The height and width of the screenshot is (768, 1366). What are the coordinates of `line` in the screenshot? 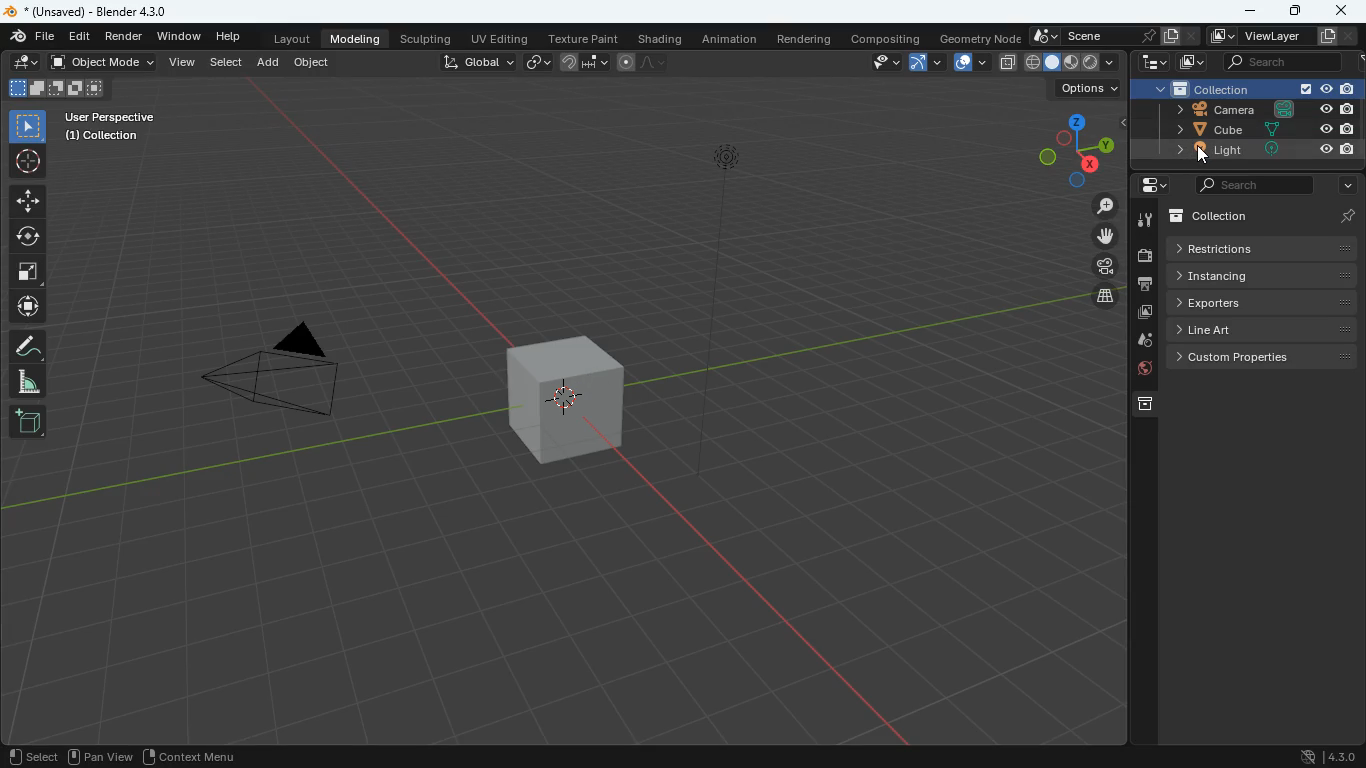 It's located at (645, 61).